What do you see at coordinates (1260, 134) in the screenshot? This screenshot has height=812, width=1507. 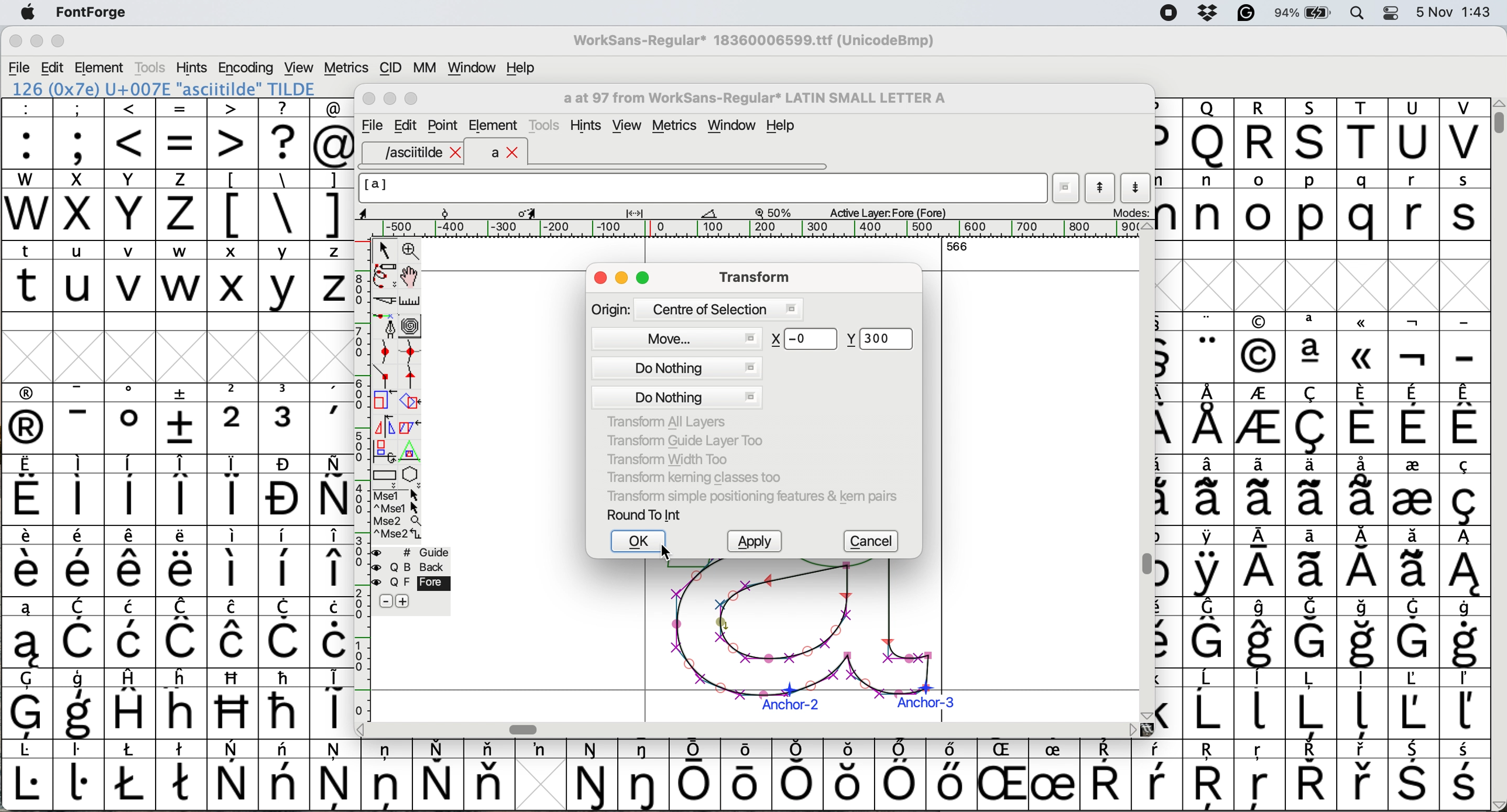 I see `R` at bounding box center [1260, 134].